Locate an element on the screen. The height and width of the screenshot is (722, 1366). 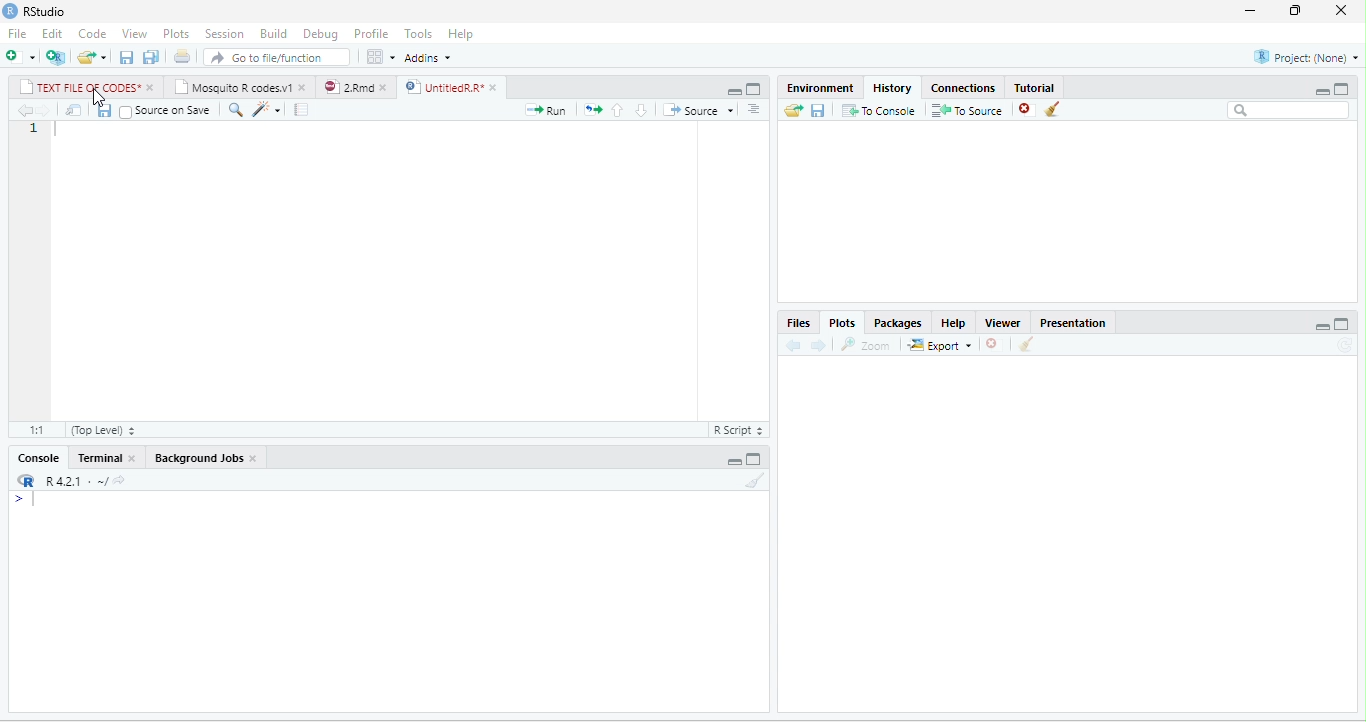
new file is located at coordinates (20, 58).